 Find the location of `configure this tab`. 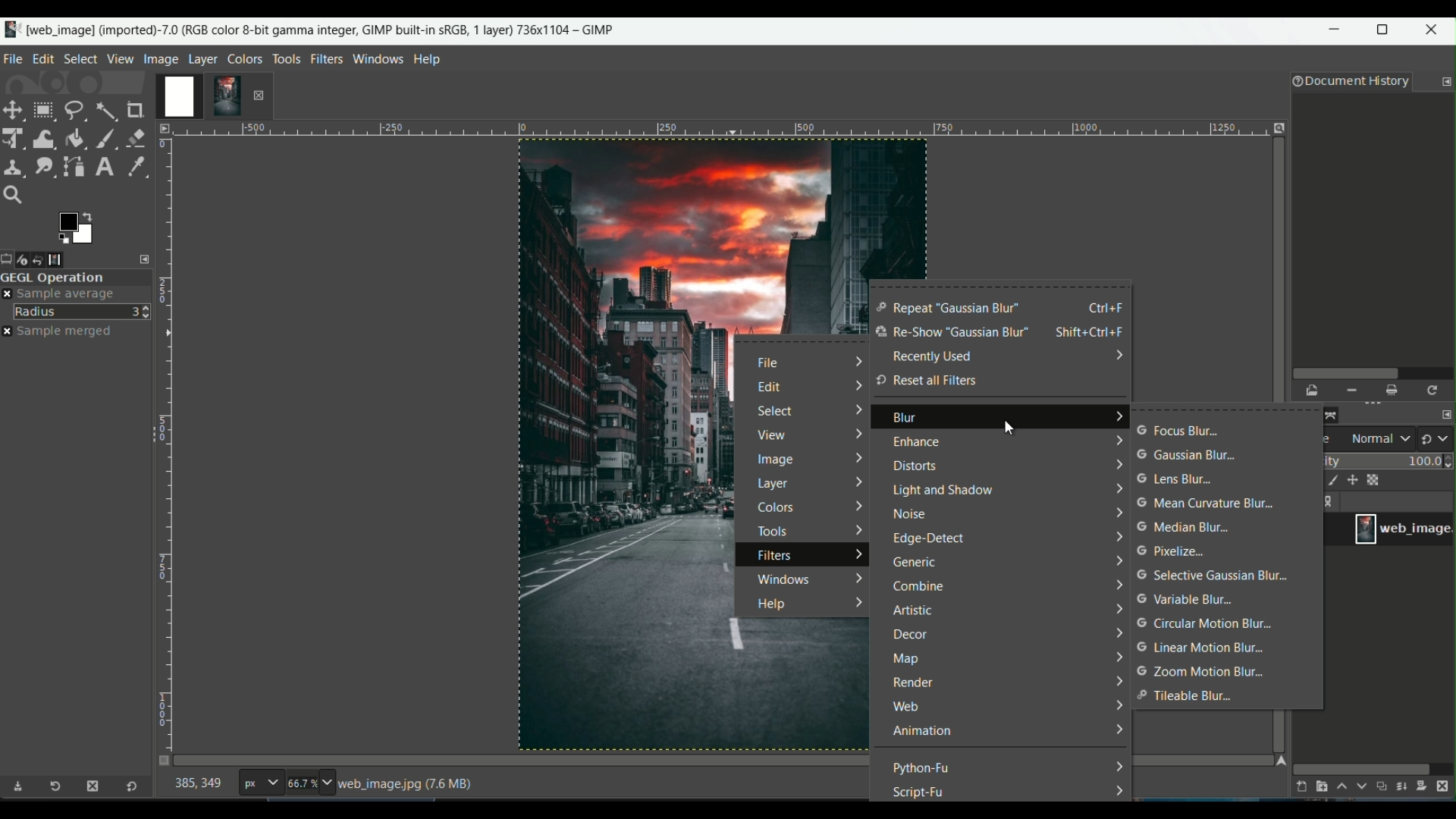

configure this tab is located at coordinates (146, 259).